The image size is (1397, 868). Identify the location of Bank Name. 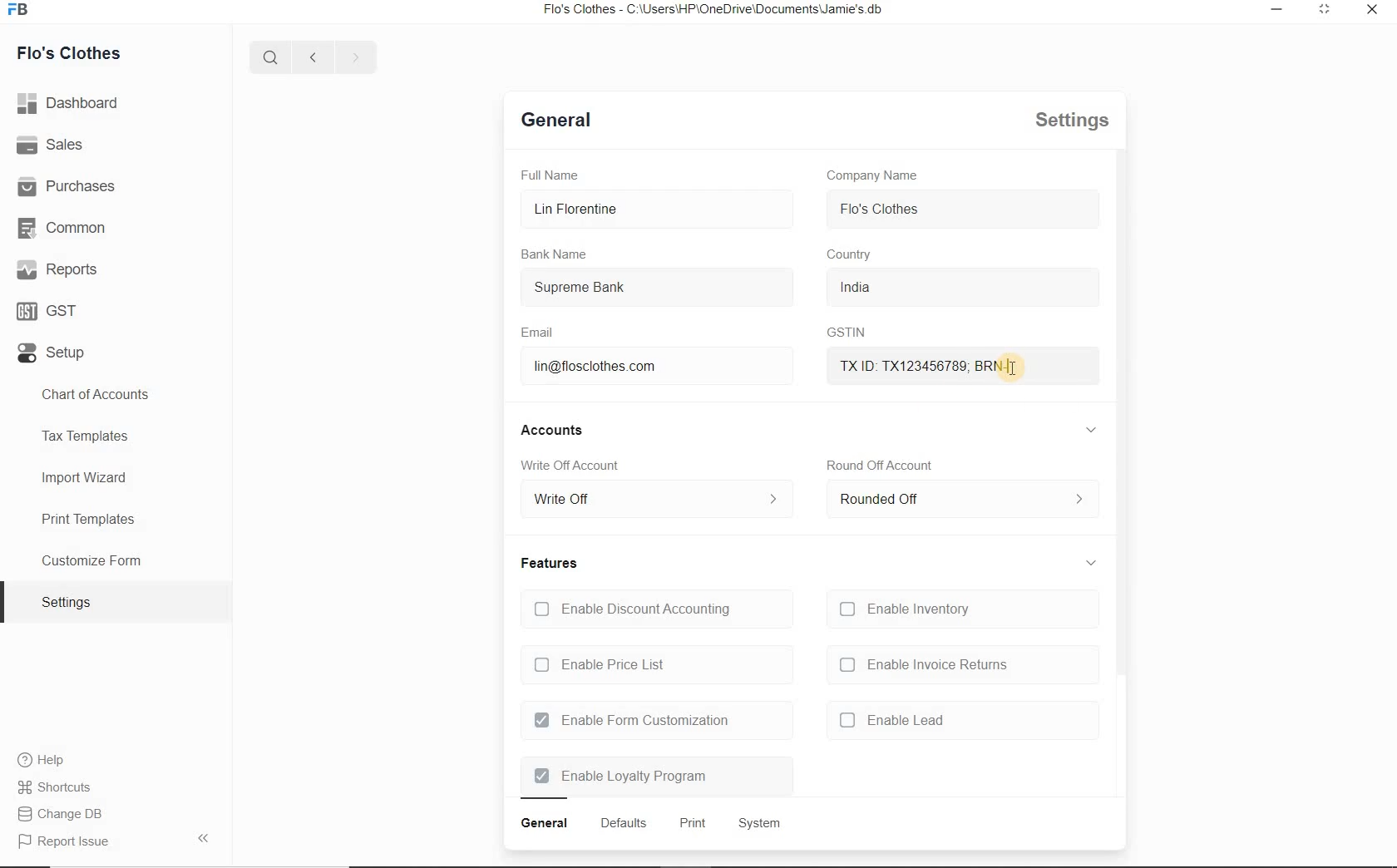
(556, 254).